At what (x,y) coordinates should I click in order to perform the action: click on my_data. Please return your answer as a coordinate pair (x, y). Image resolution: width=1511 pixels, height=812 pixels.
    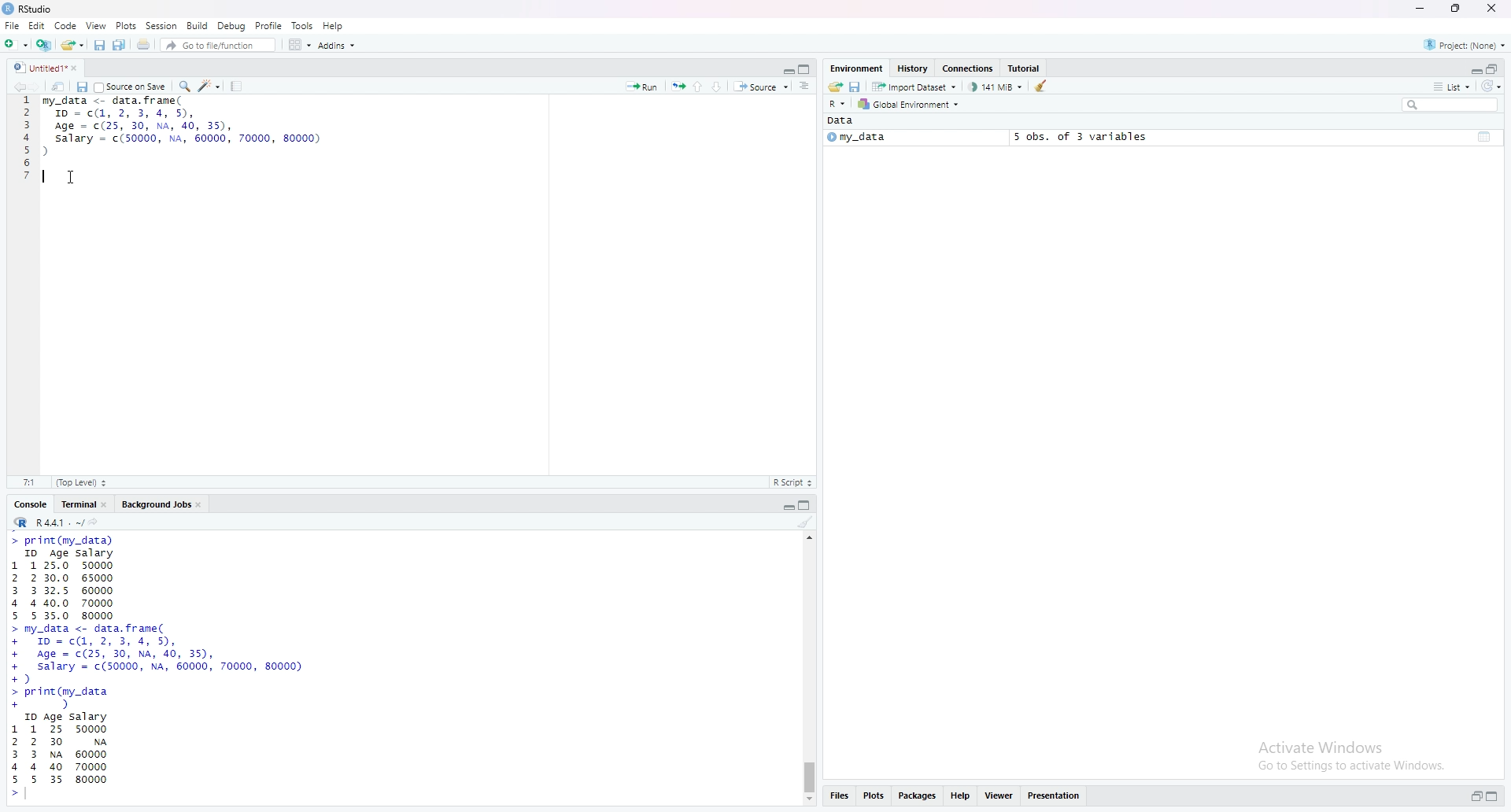
    Looking at the image, I should click on (855, 138).